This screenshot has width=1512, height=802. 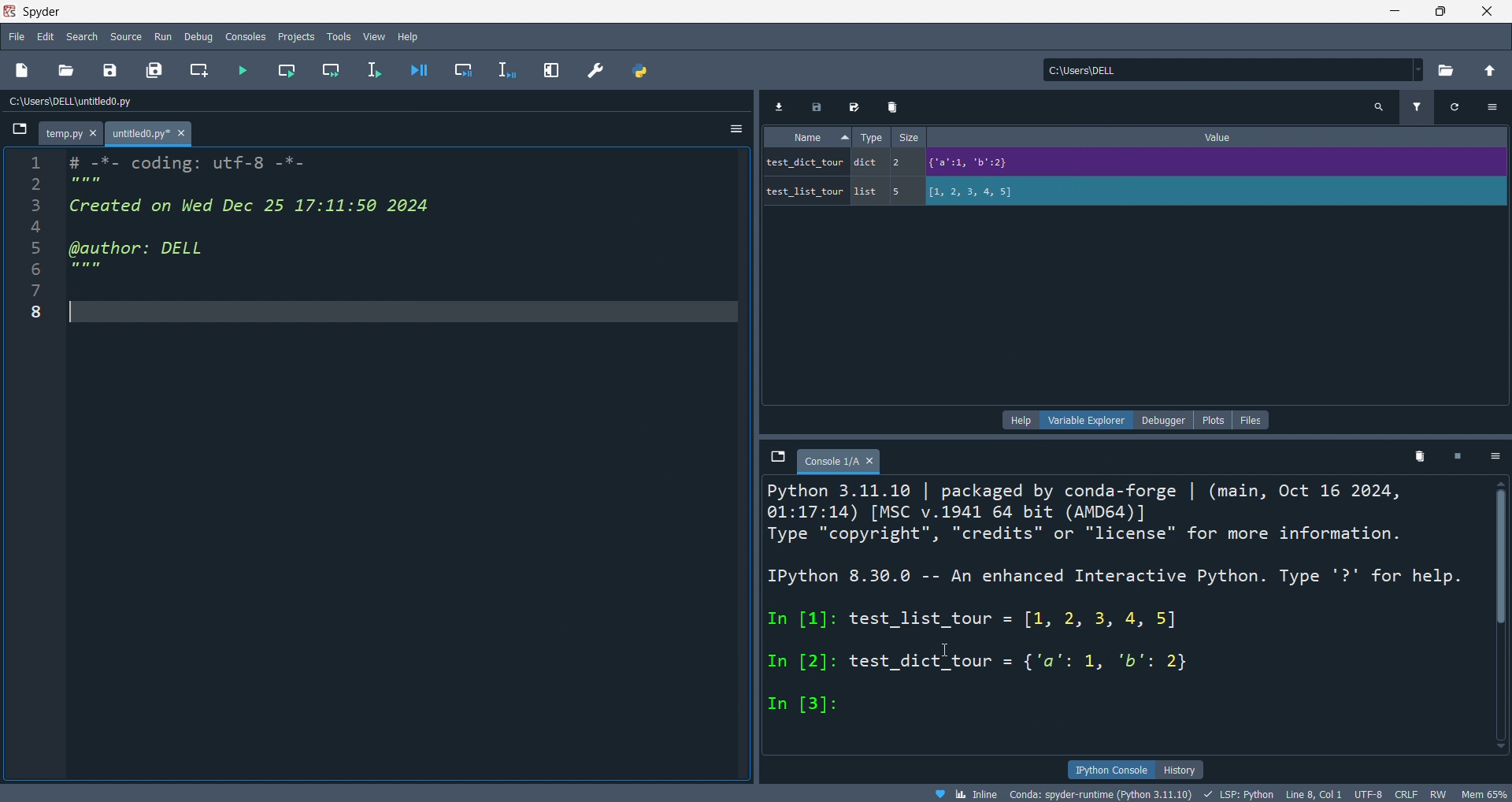 What do you see at coordinates (126, 36) in the screenshot?
I see `source` at bounding box center [126, 36].